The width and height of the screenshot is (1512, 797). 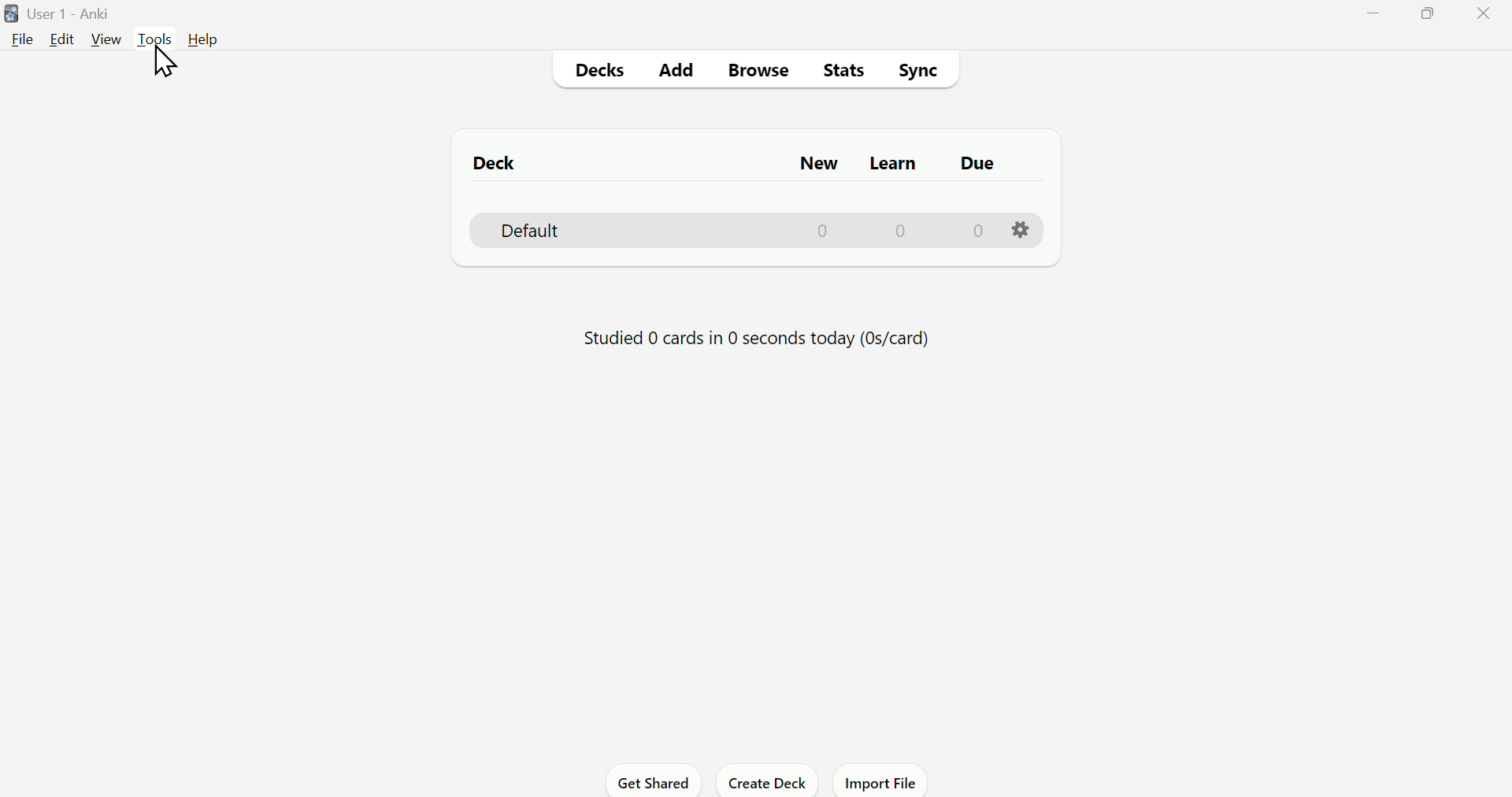 What do you see at coordinates (155, 39) in the screenshot?
I see `Tools` at bounding box center [155, 39].